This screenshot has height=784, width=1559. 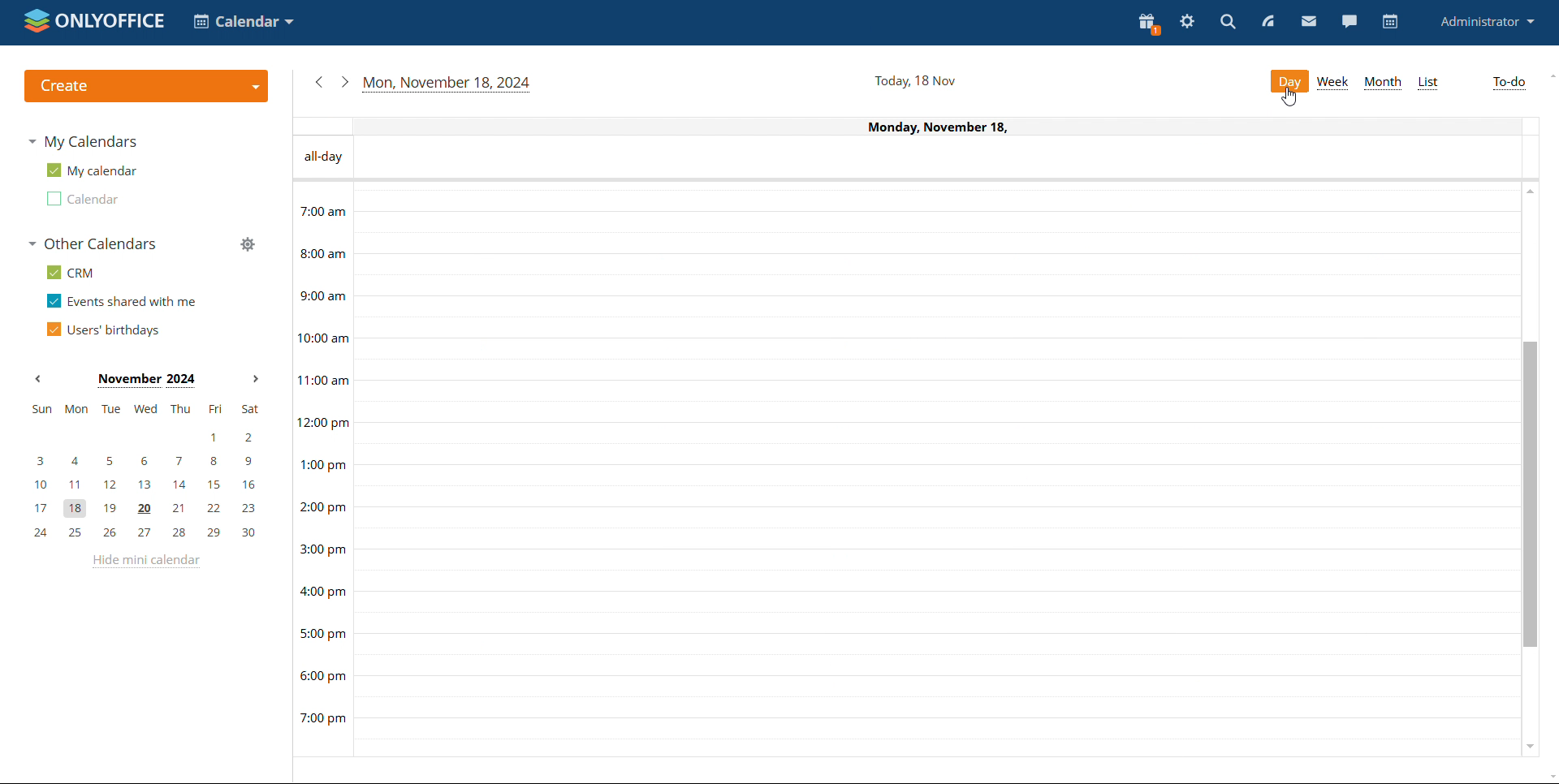 I want to click on list view, so click(x=1429, y=83).